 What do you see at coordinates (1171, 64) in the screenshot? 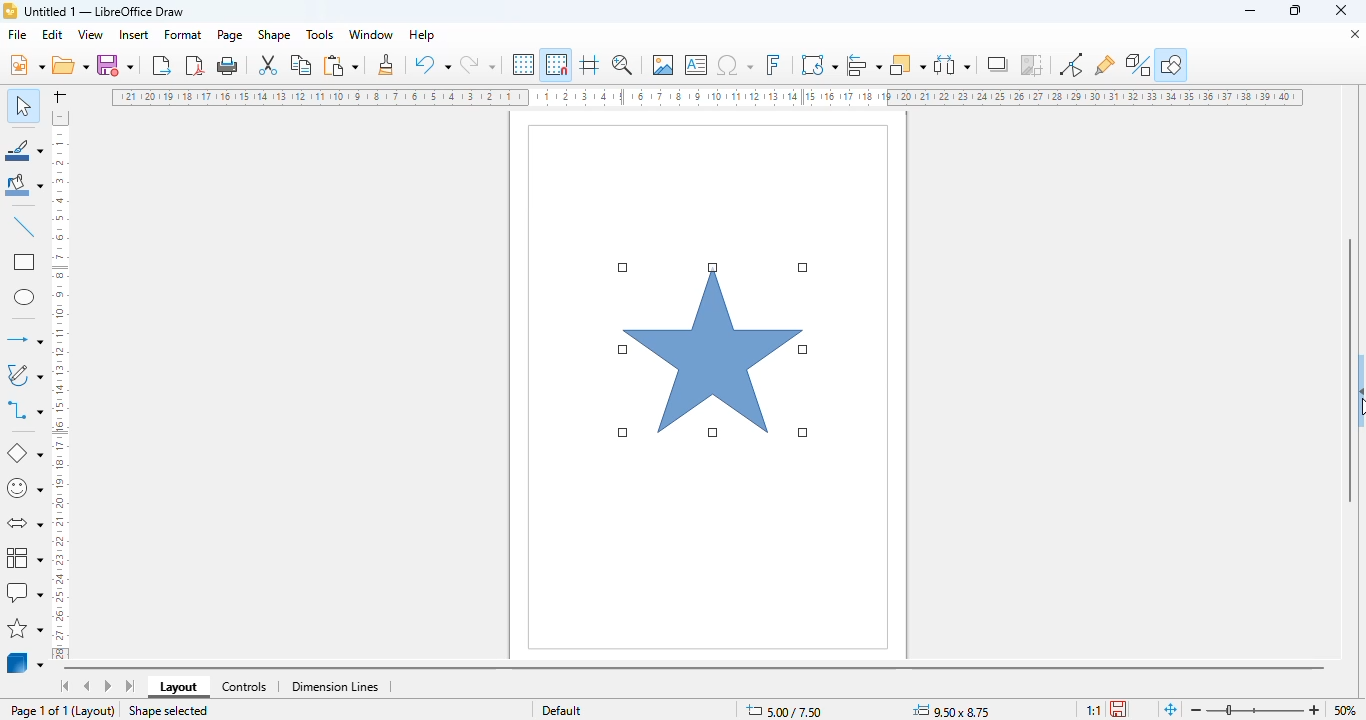
I see `show draw functions` at bounding box center [1171, 64].